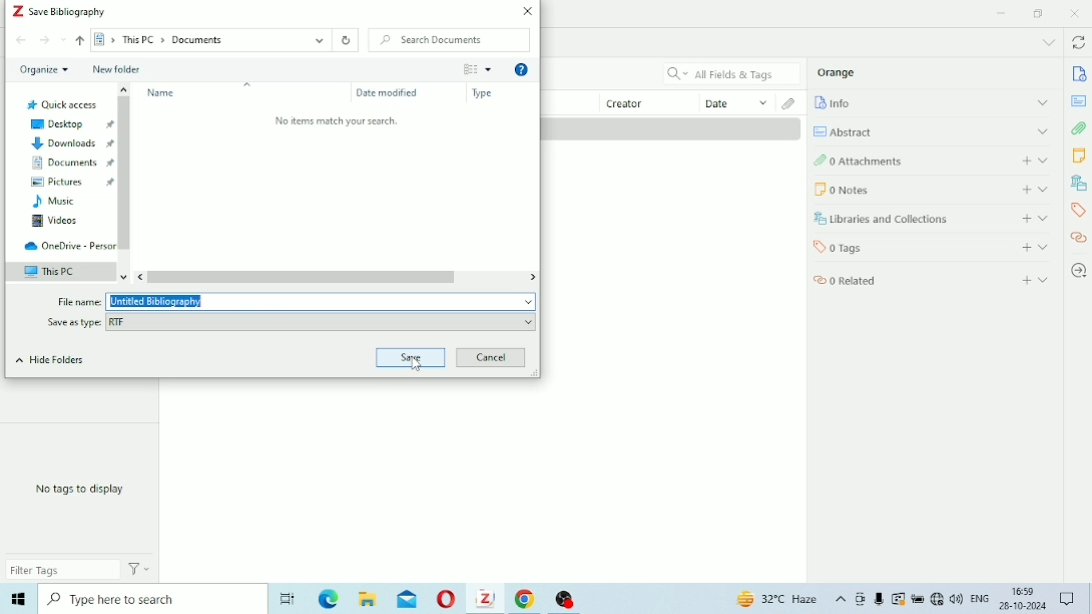 The image size is (1092, 614). Describe the element at coordinates (489, 69) in the screenshot. I see `More Options` at that location.